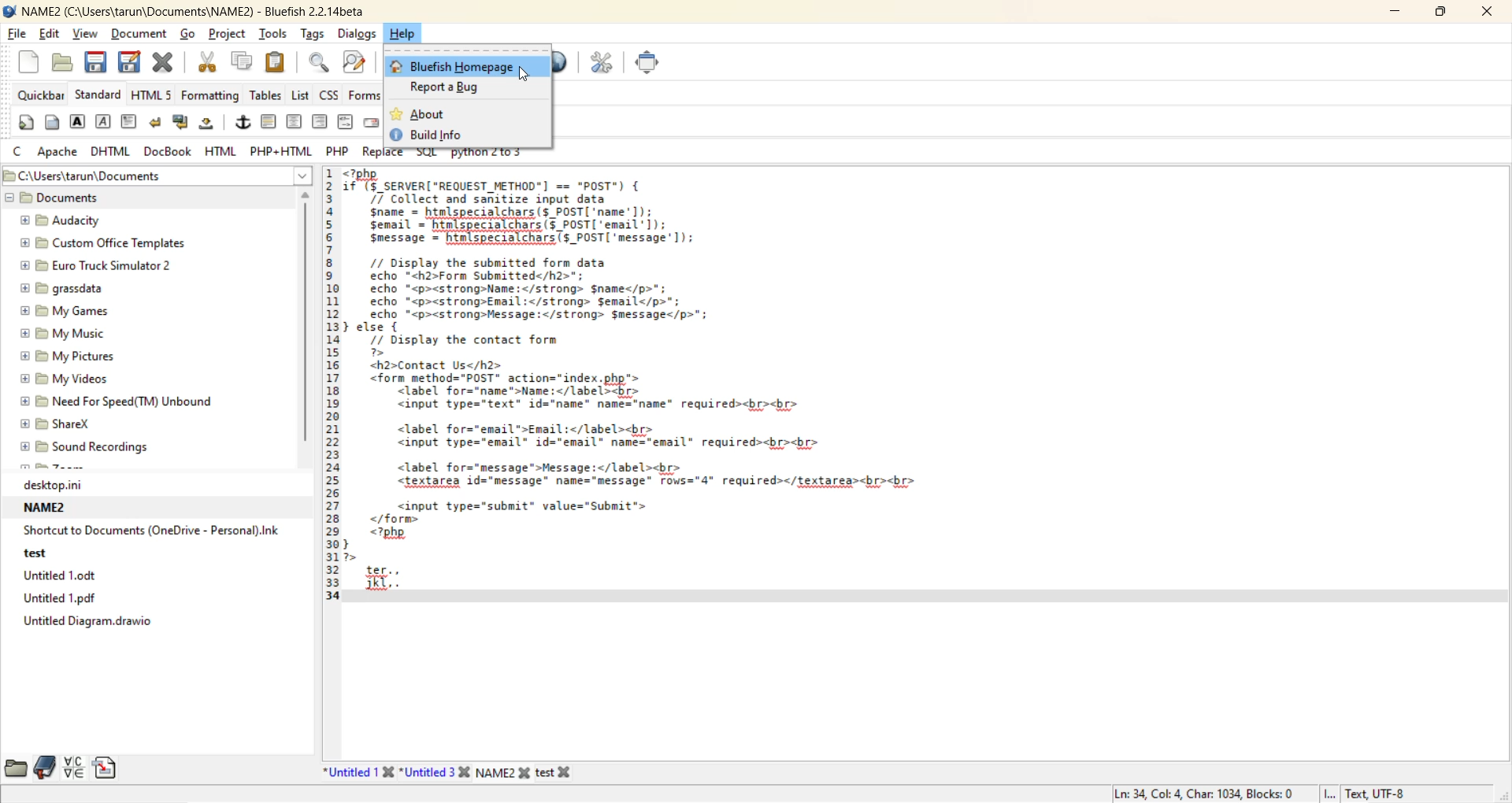 Image resolution: width=1512 pixels, height=803 pixels. Describe the element at coordinates (296, 123) in the screenshot. I see `center` at that location.